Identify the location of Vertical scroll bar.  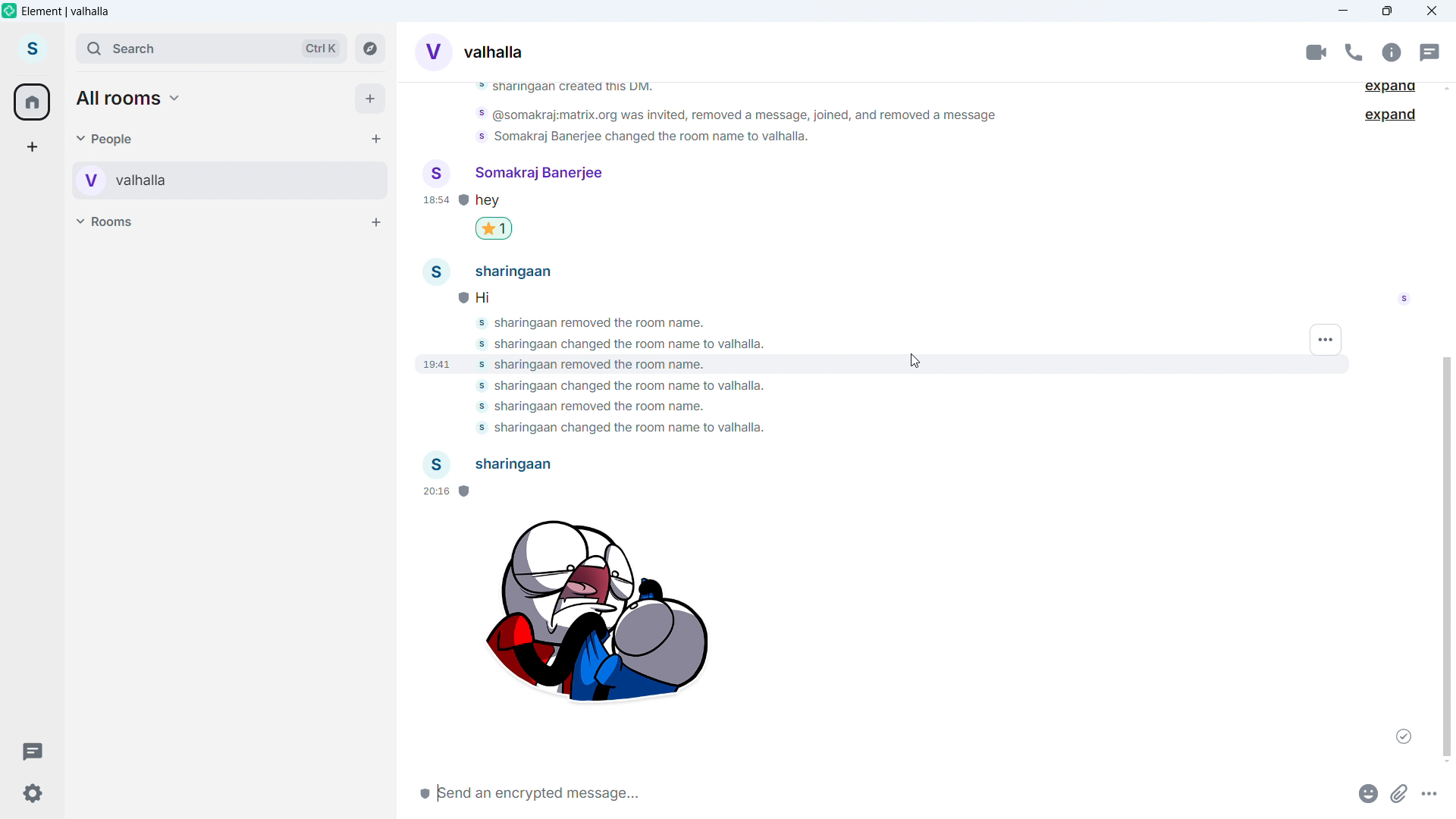
(1448, 554).